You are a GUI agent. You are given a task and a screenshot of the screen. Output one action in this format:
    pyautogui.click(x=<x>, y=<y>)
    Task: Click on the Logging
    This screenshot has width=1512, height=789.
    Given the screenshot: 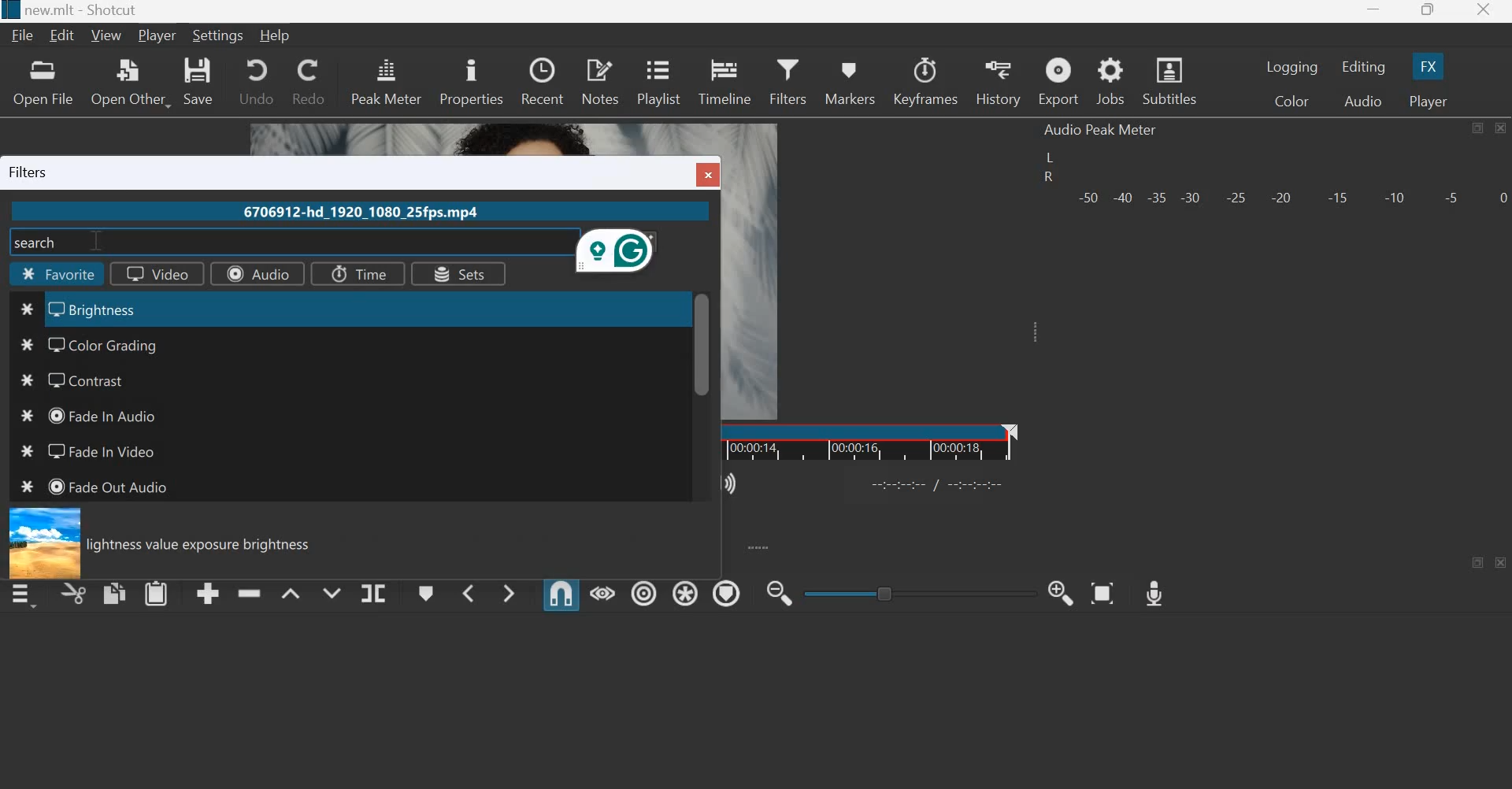 What is the action you would take?
    pyautogui.click(x=1293, y=67)
    